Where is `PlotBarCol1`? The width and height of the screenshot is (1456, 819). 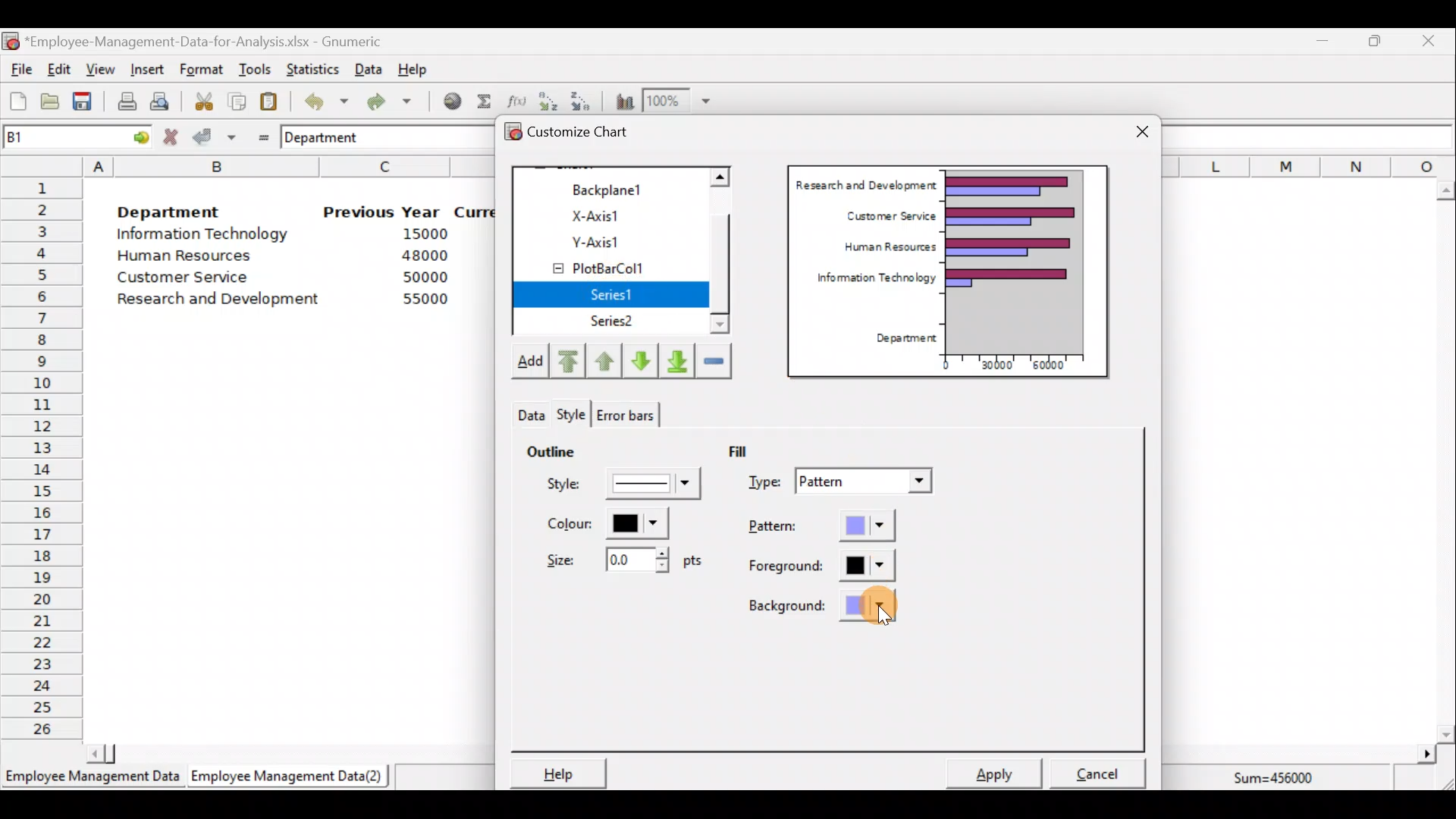 PlotBarCol1 is located at coordinates (612, 263).